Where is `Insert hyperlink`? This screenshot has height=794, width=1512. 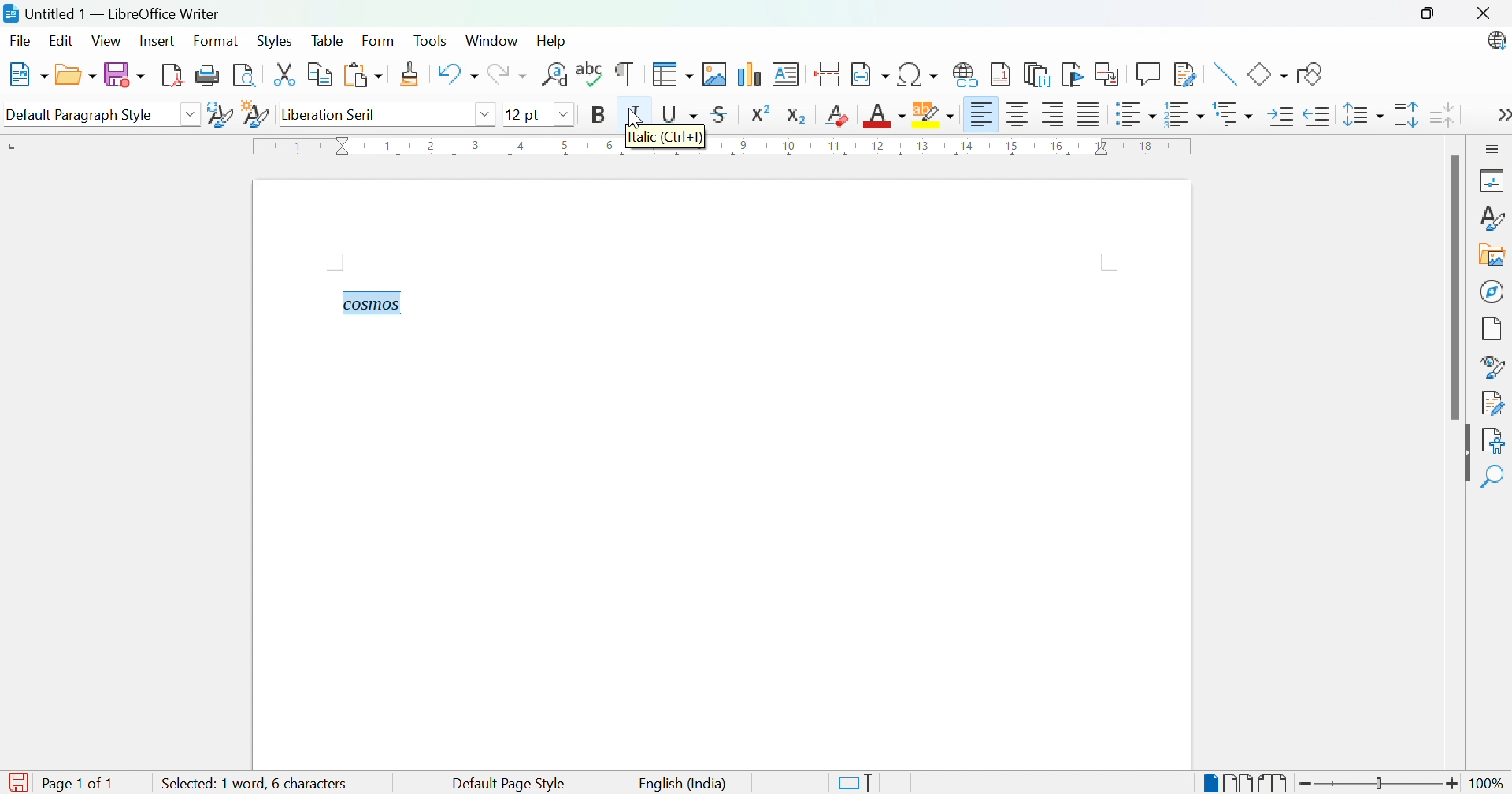
Insert hyperlink is located at coordinates (965, 77).